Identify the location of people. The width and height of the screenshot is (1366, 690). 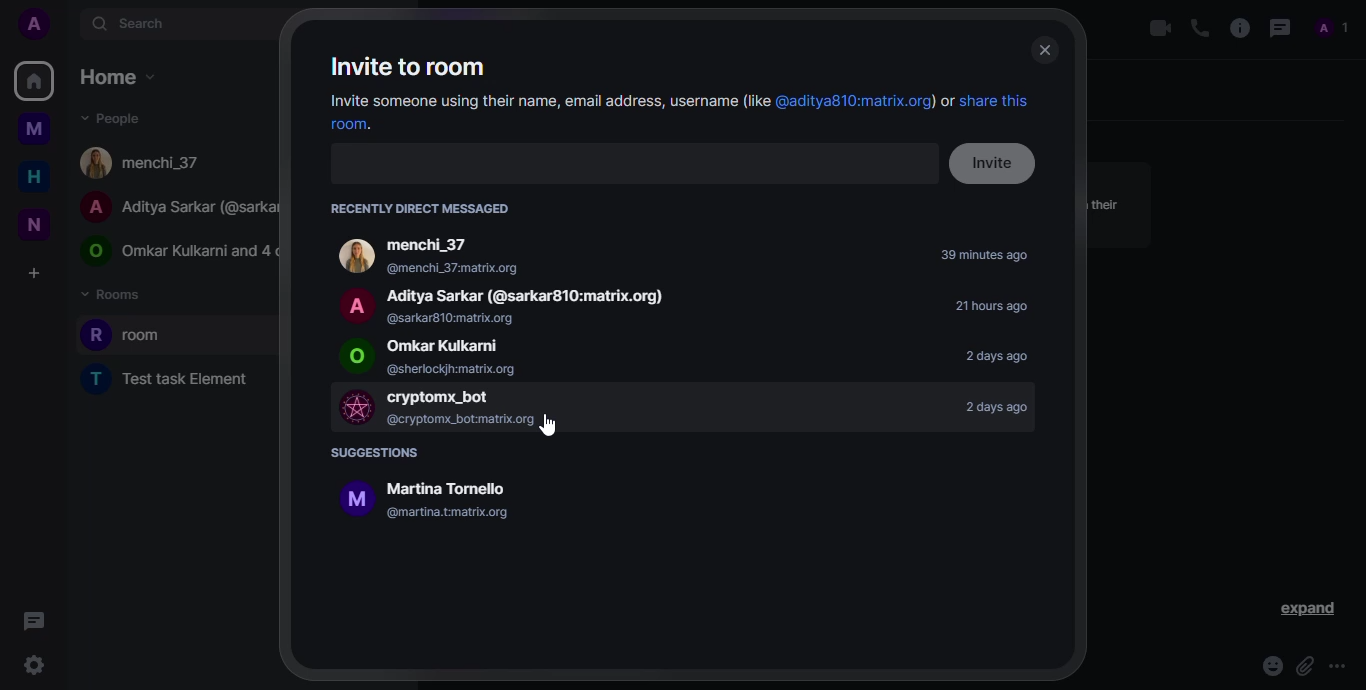
(1325, 26).